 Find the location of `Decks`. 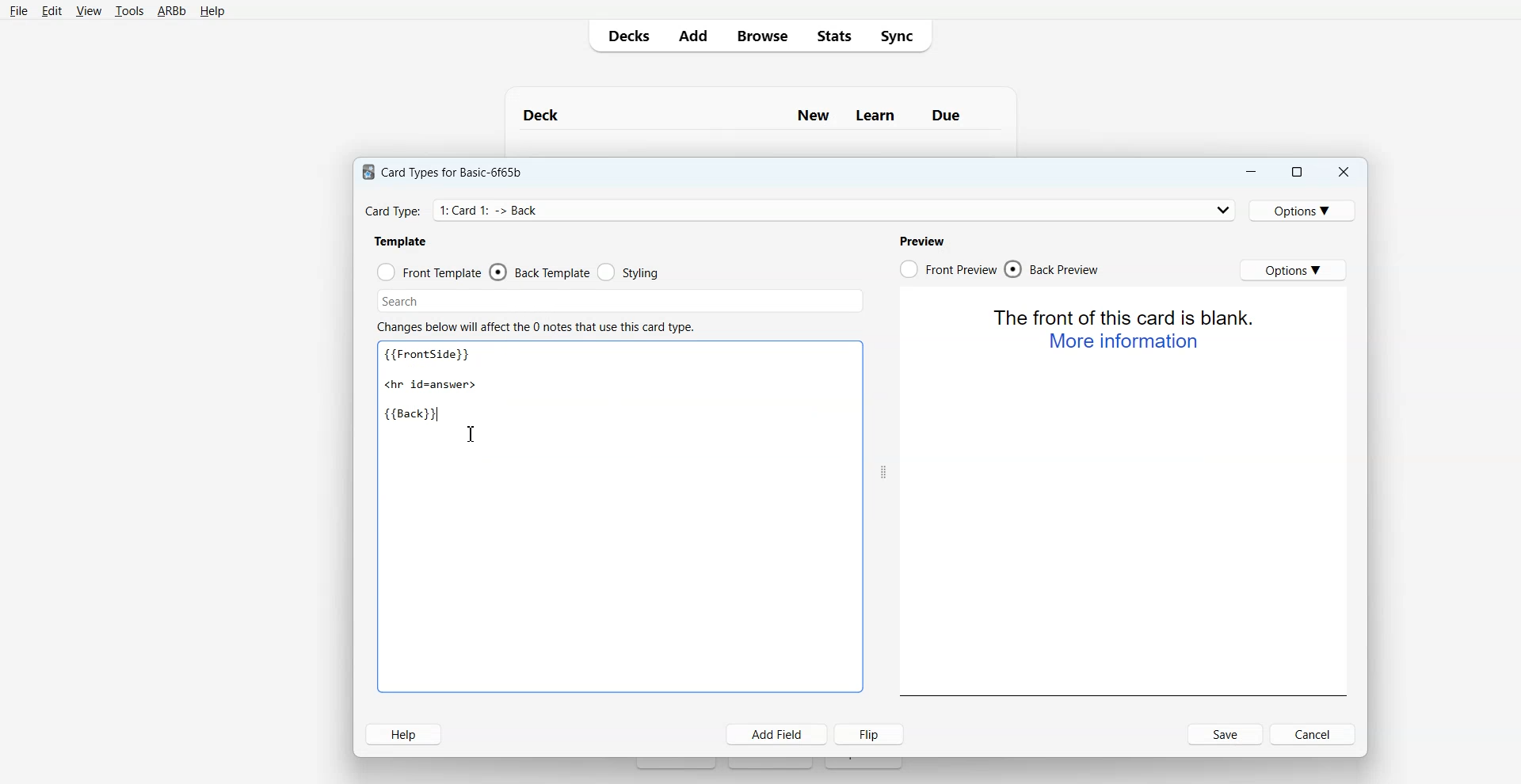

Decks is located at coordinates (625, 36).